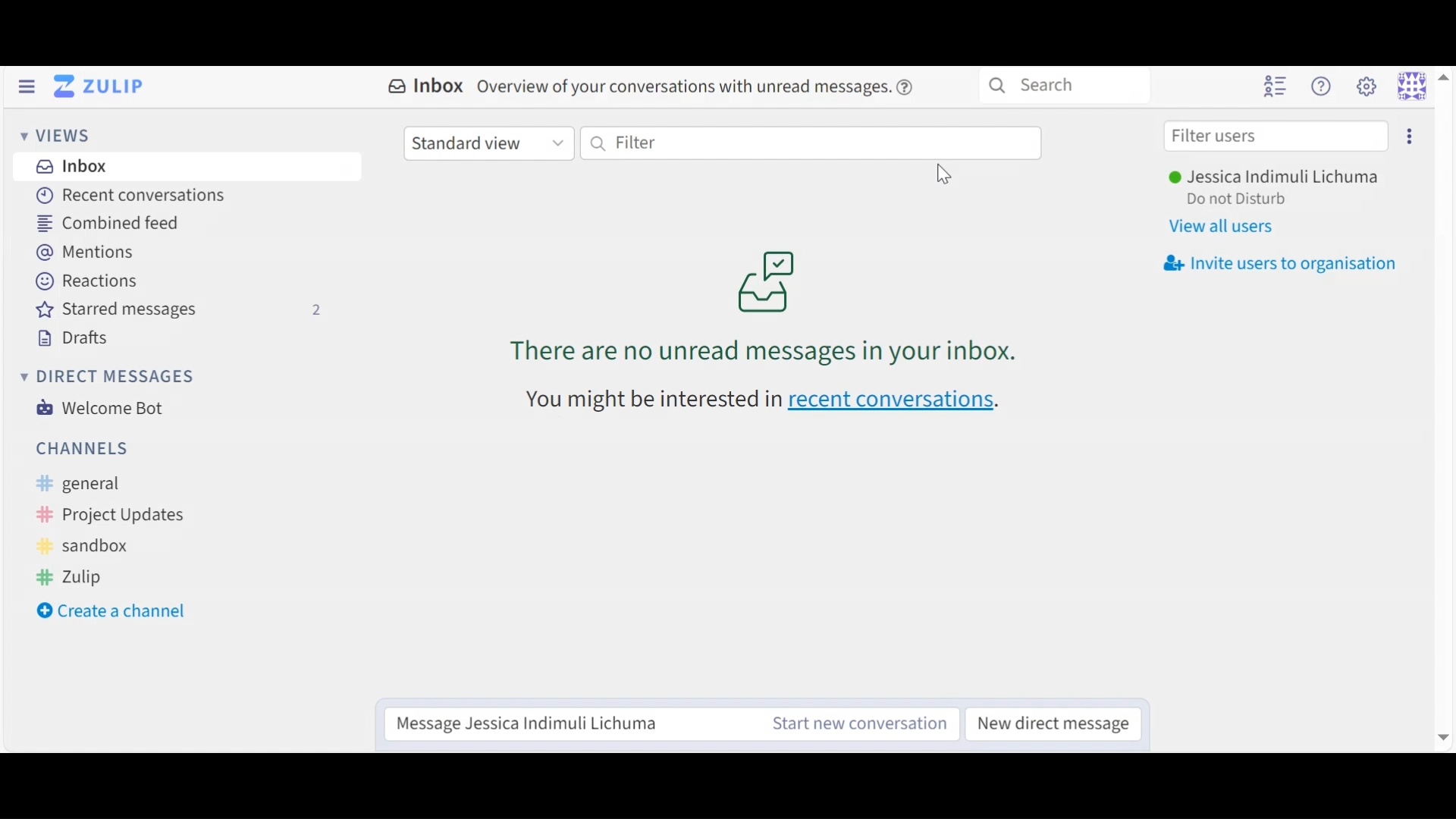 The image size is (1456, 819). What do you see at coordinates (108, 224) in the screenshot?
I see `Combined Feed` at bounding box center [108, 224].